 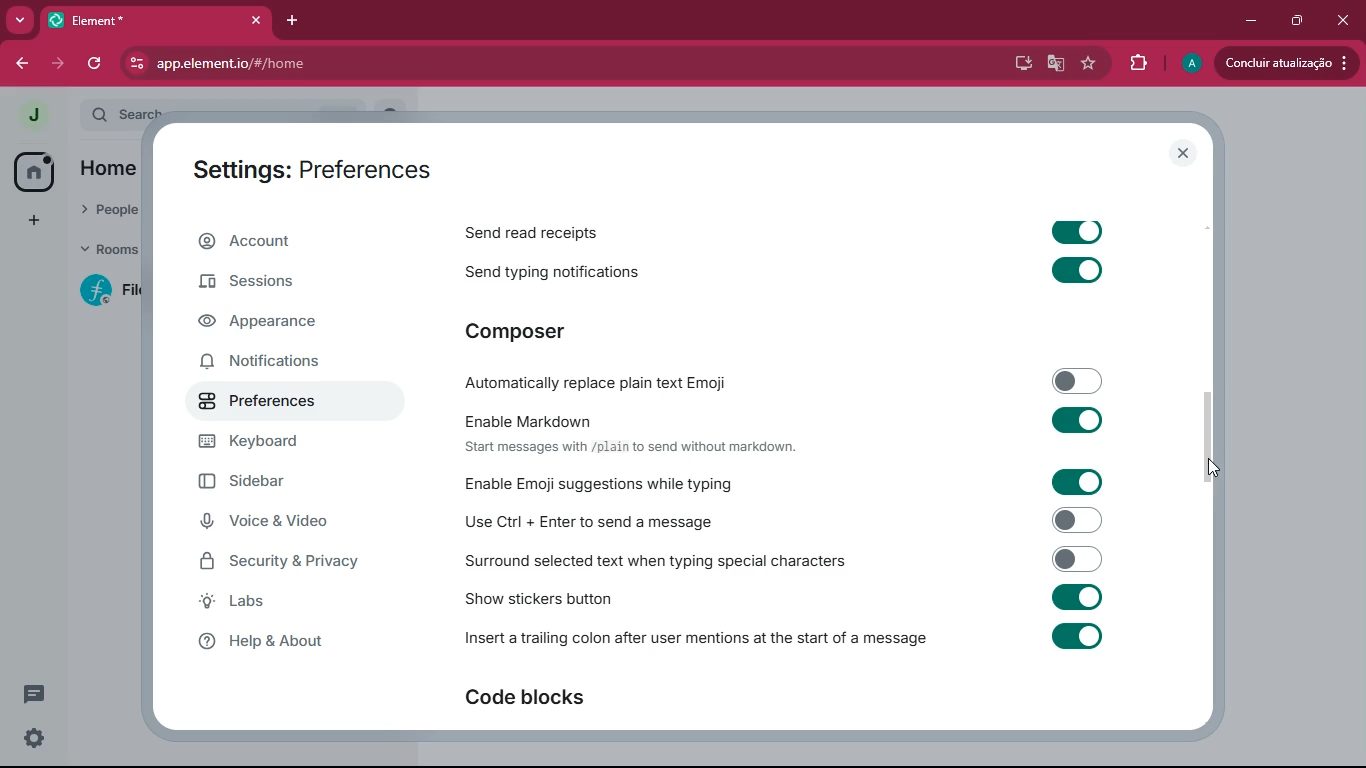 What do you see at coordinates (780, 521) in the screenshot?
I see `Use Cul + Enter to send a message` at bounding box center [780, 521].